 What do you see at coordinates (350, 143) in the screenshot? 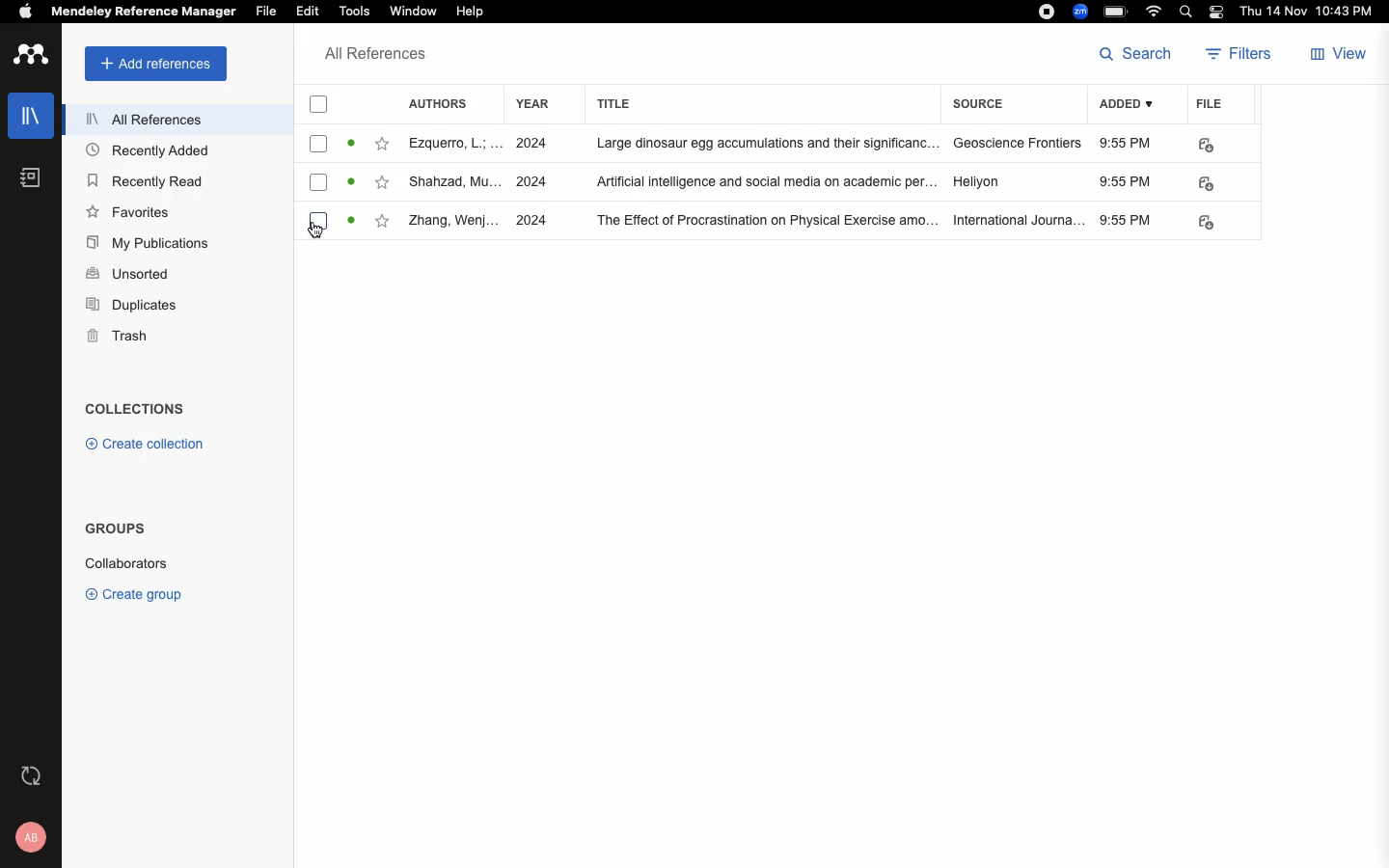
I see `read` at bounding box center [350, 143].